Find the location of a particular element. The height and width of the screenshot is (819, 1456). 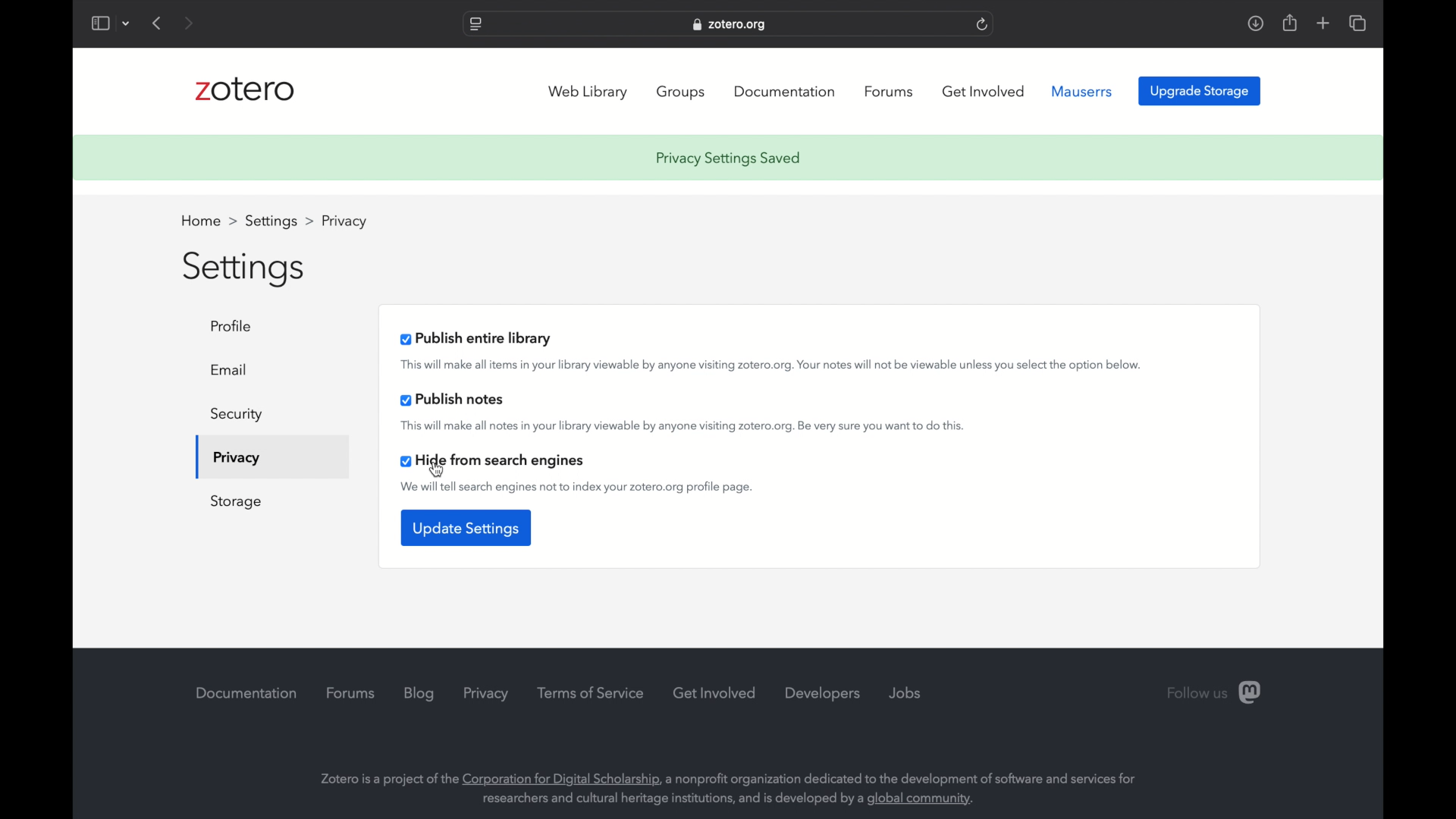

cursor is located at coordinates (438, 469).